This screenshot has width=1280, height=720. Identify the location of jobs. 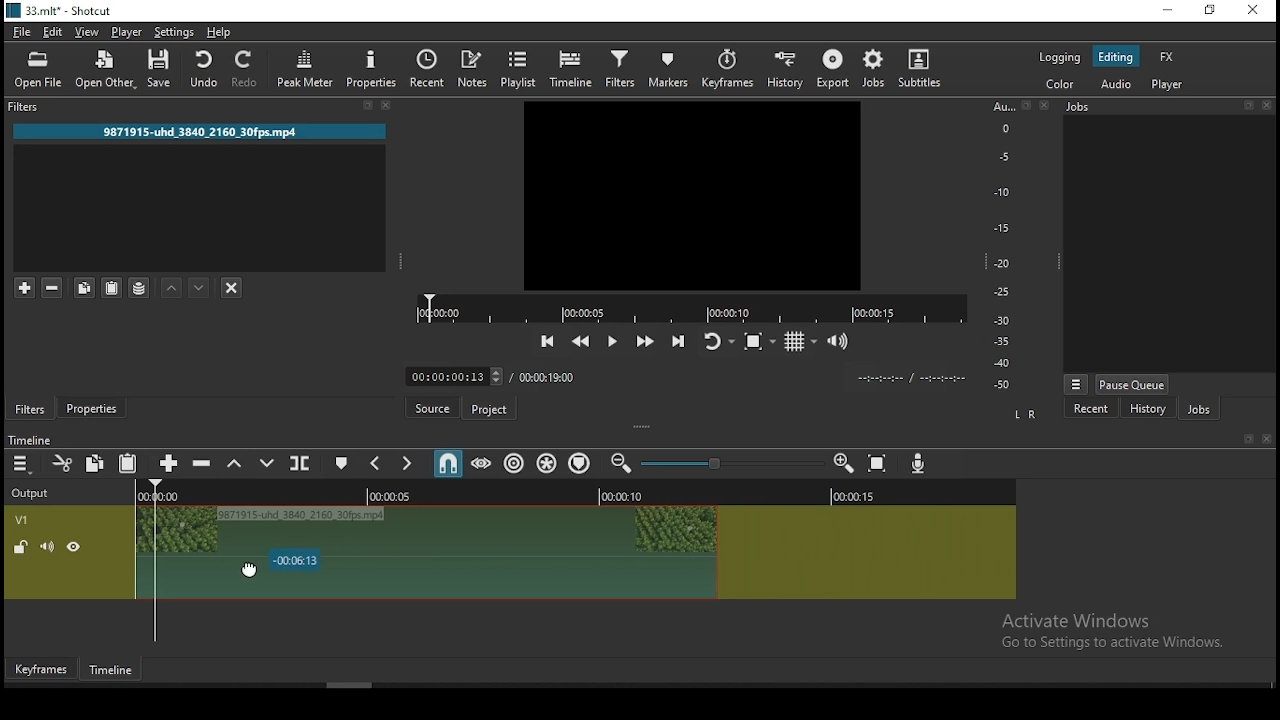
(877, 68).